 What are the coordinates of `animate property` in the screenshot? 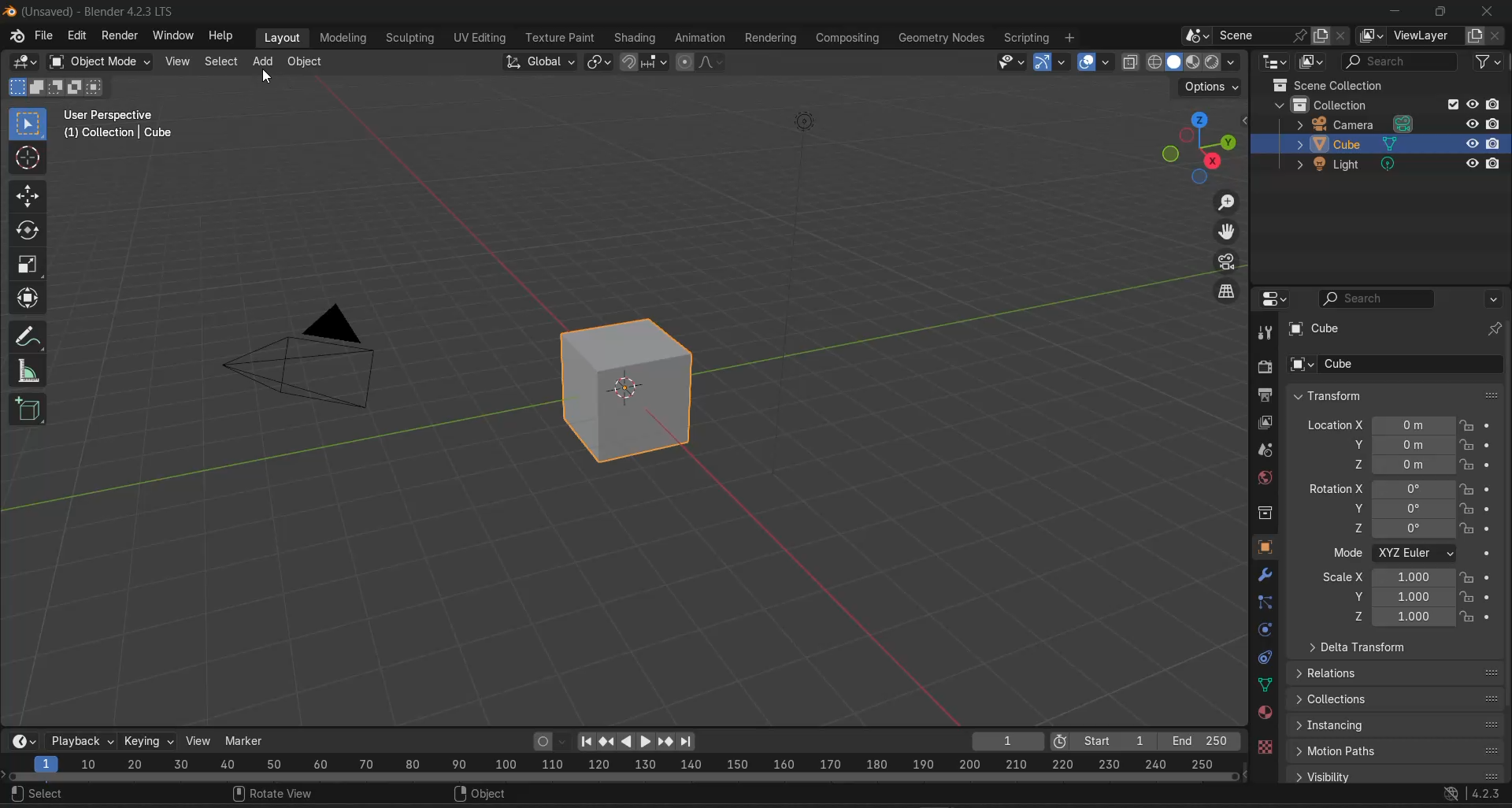 It's located at (1492, 528).